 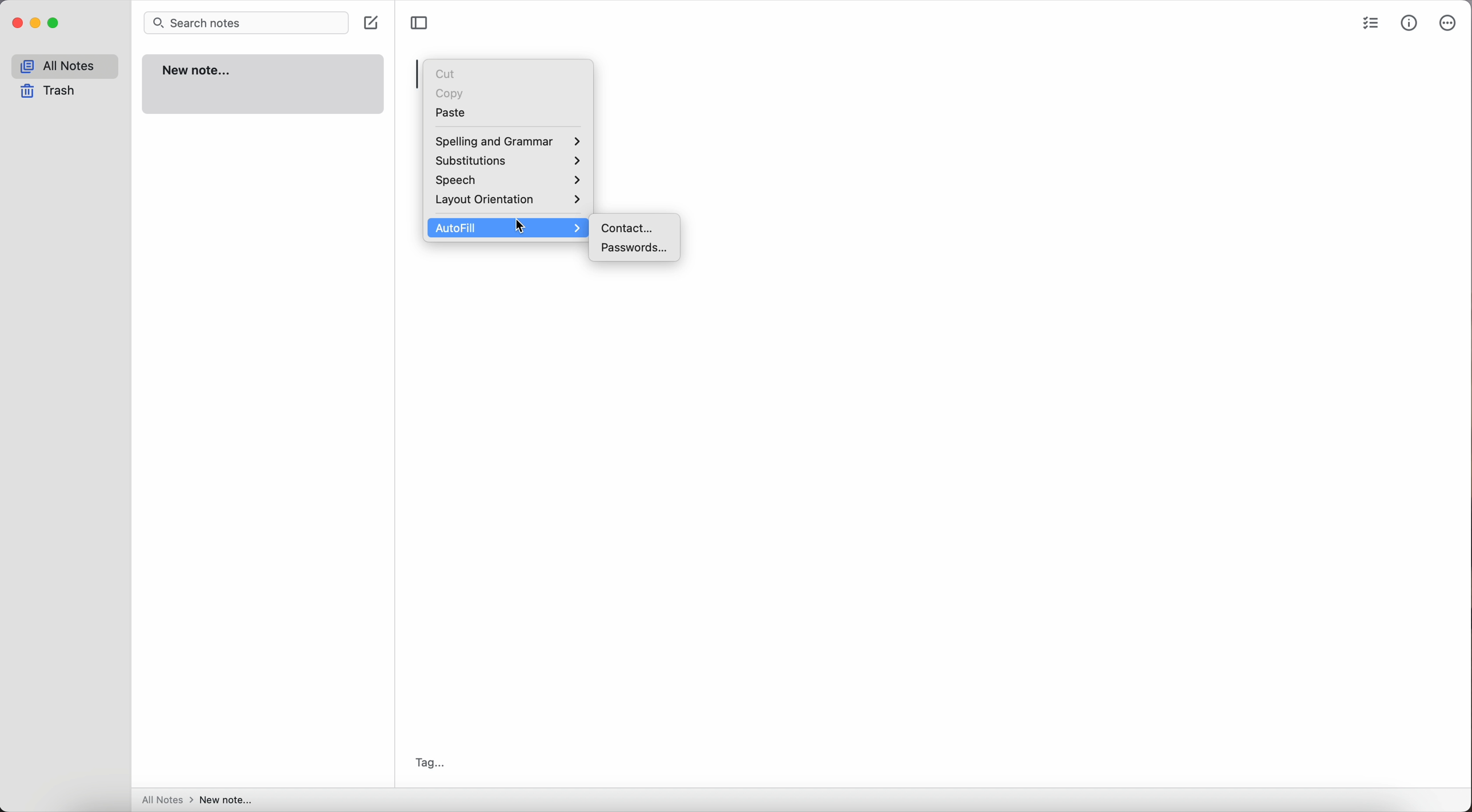 What do you see at coordinates (631, 228) in the screenshot?
I see `contact` at bounding box center [631, 228].